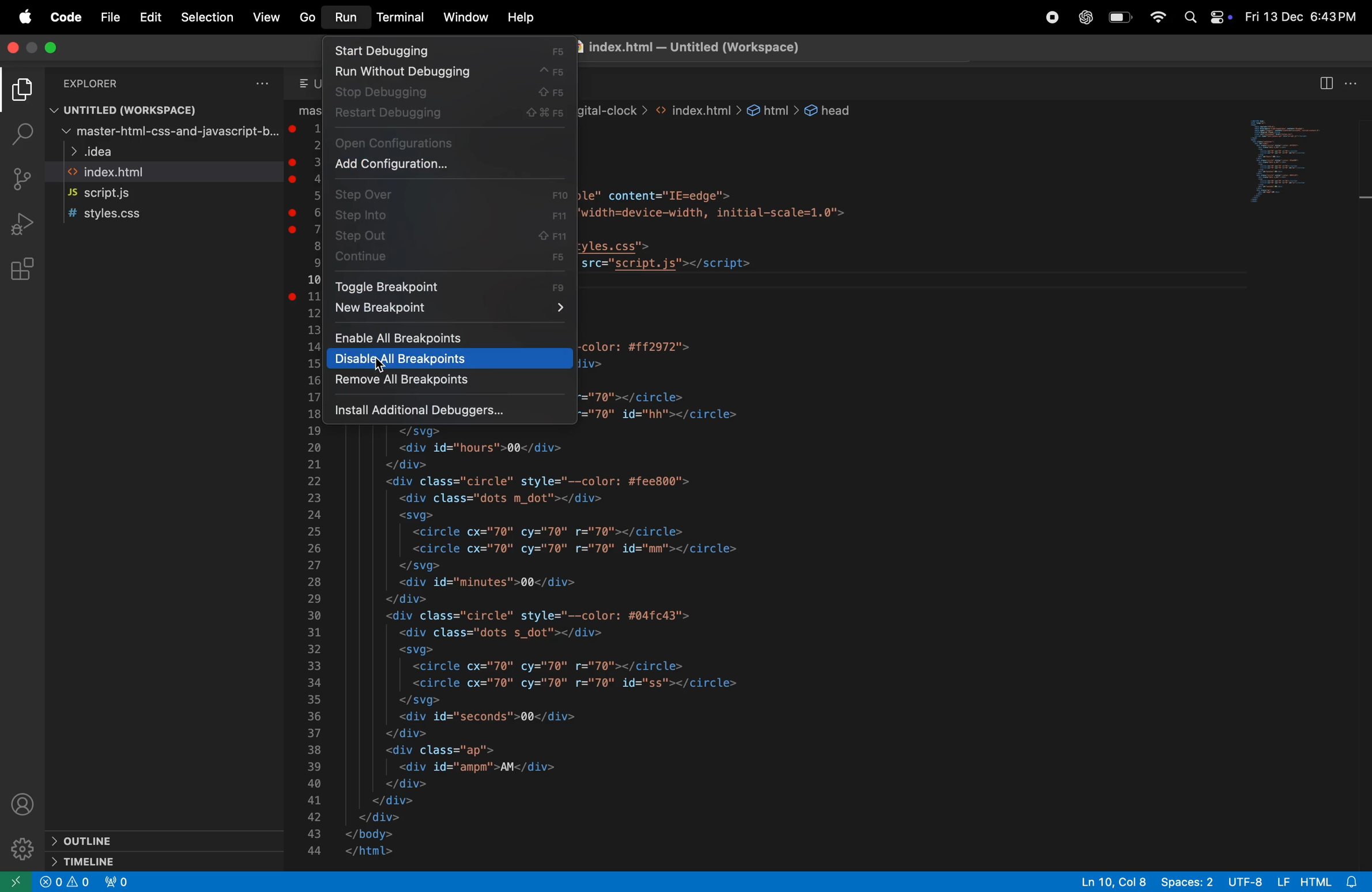  I want to click on new break point, so click(447, 307).